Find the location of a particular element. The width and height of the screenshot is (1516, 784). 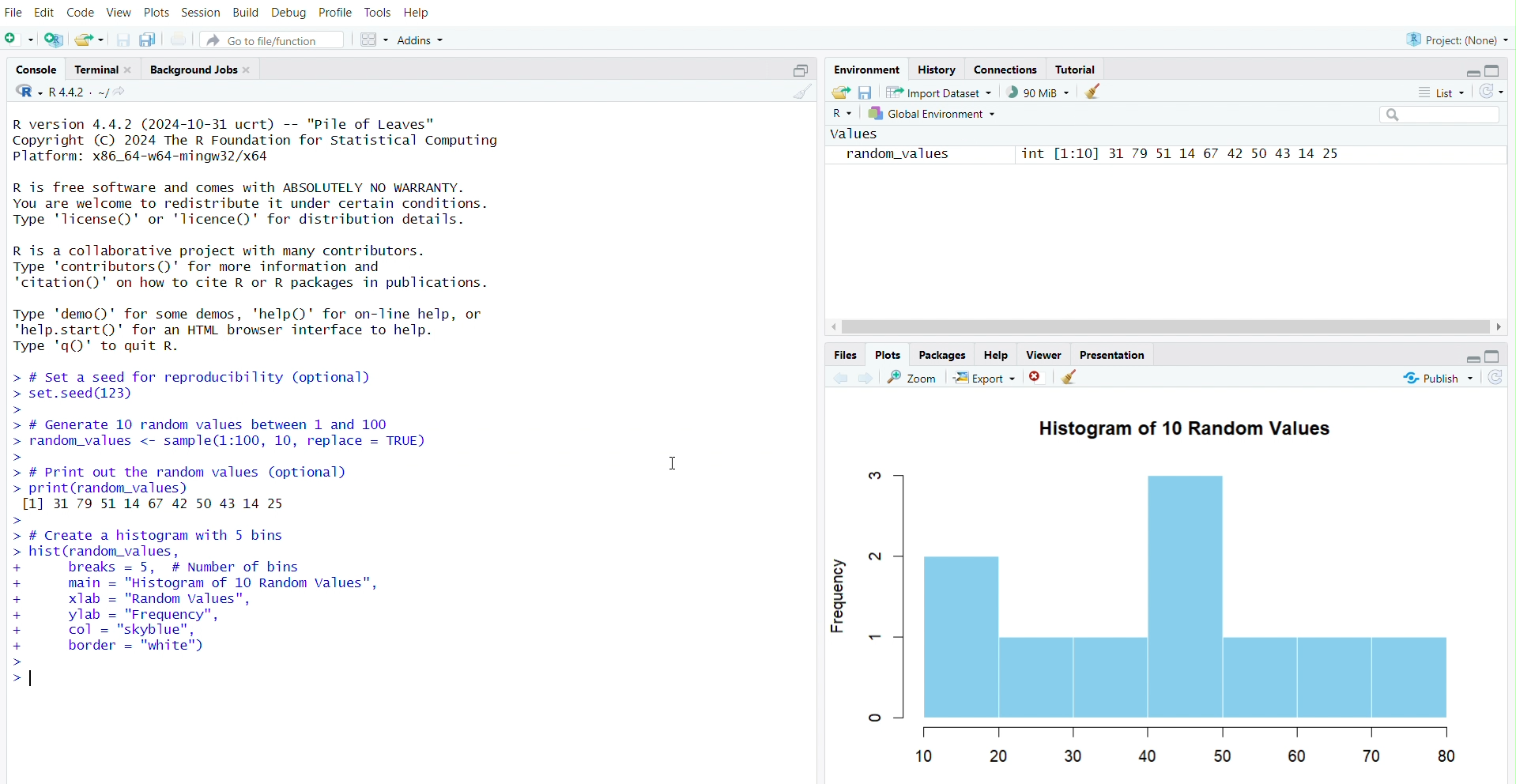

connections is located at coordinates (1006, 68).